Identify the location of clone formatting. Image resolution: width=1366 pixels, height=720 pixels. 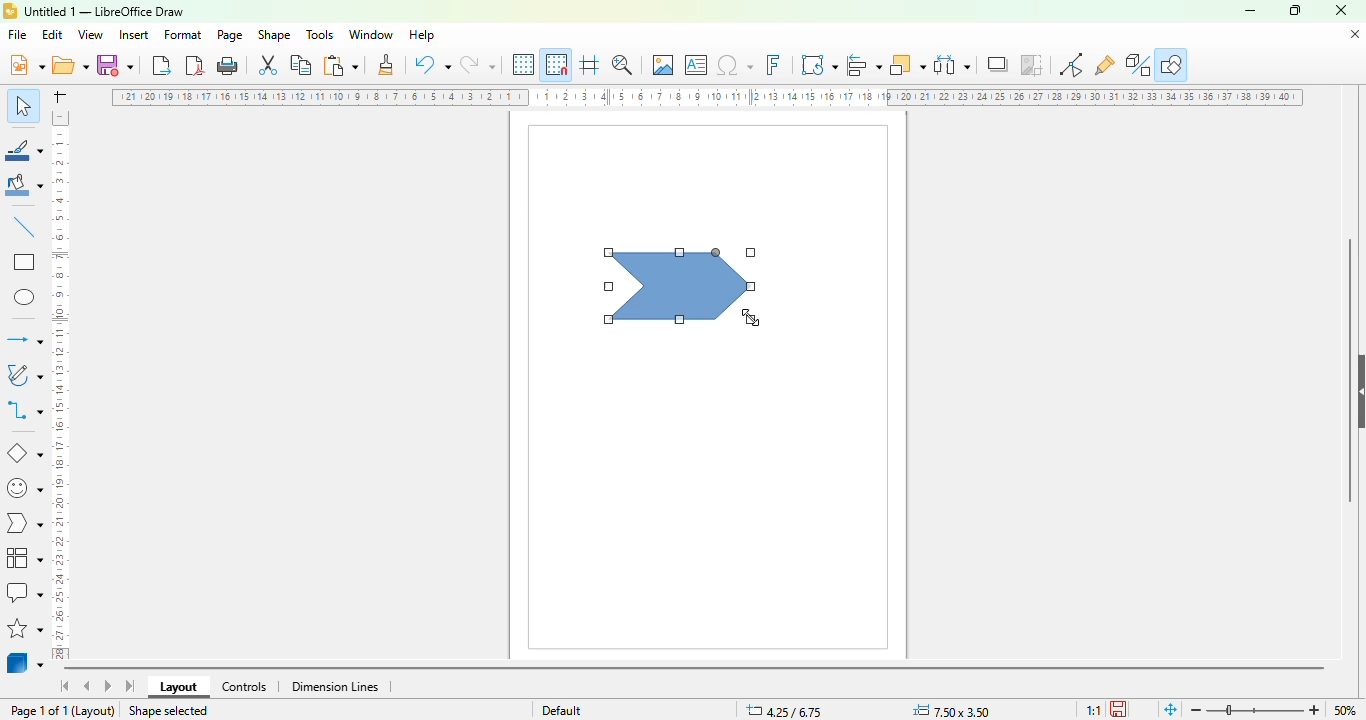
(387, 63).